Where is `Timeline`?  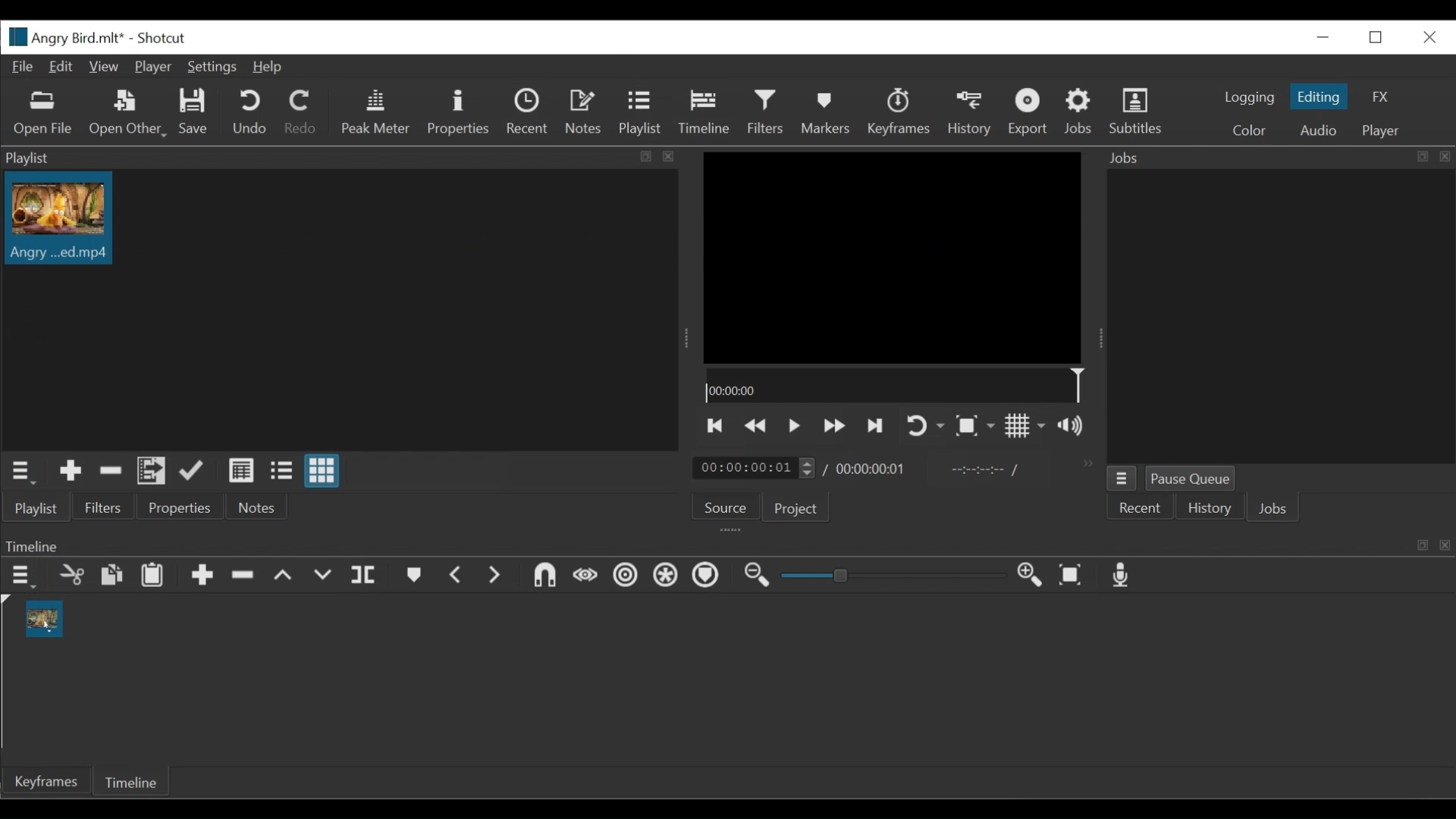
Timeline is located at coordinates (899, 387).